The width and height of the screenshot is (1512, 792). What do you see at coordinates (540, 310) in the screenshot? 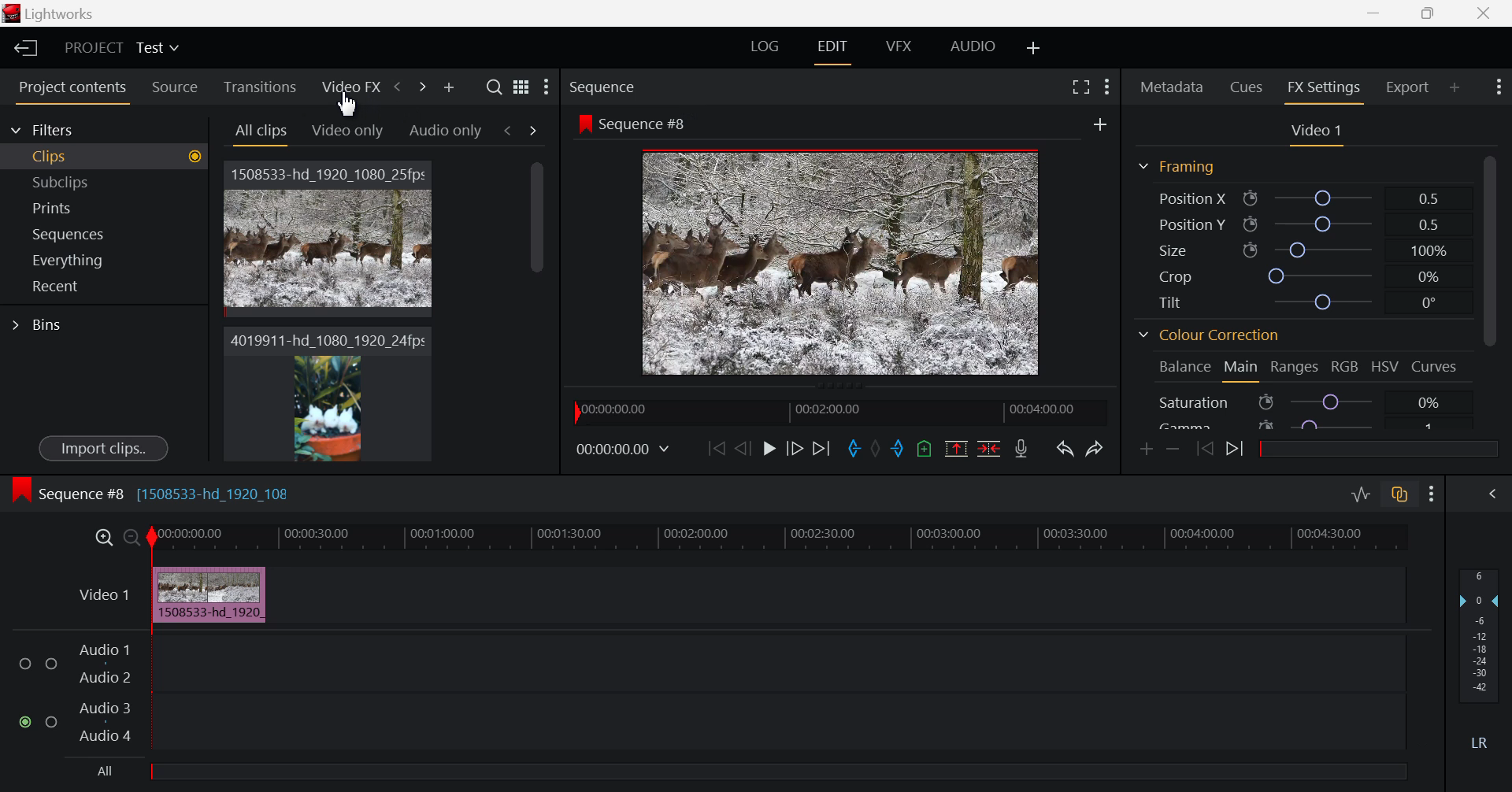
I see `Scroll Bar` at bounding box center [540, 310].